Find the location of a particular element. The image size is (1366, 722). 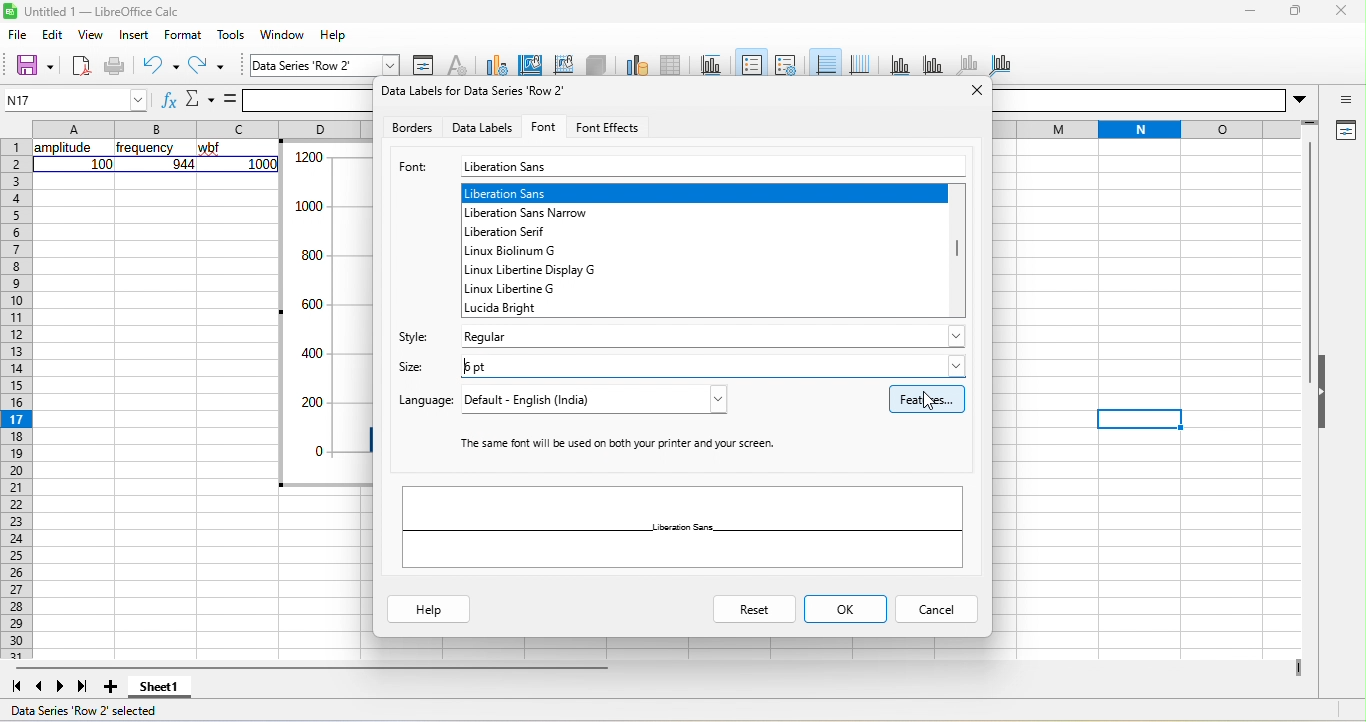

file is located at coordinates (21, 37).